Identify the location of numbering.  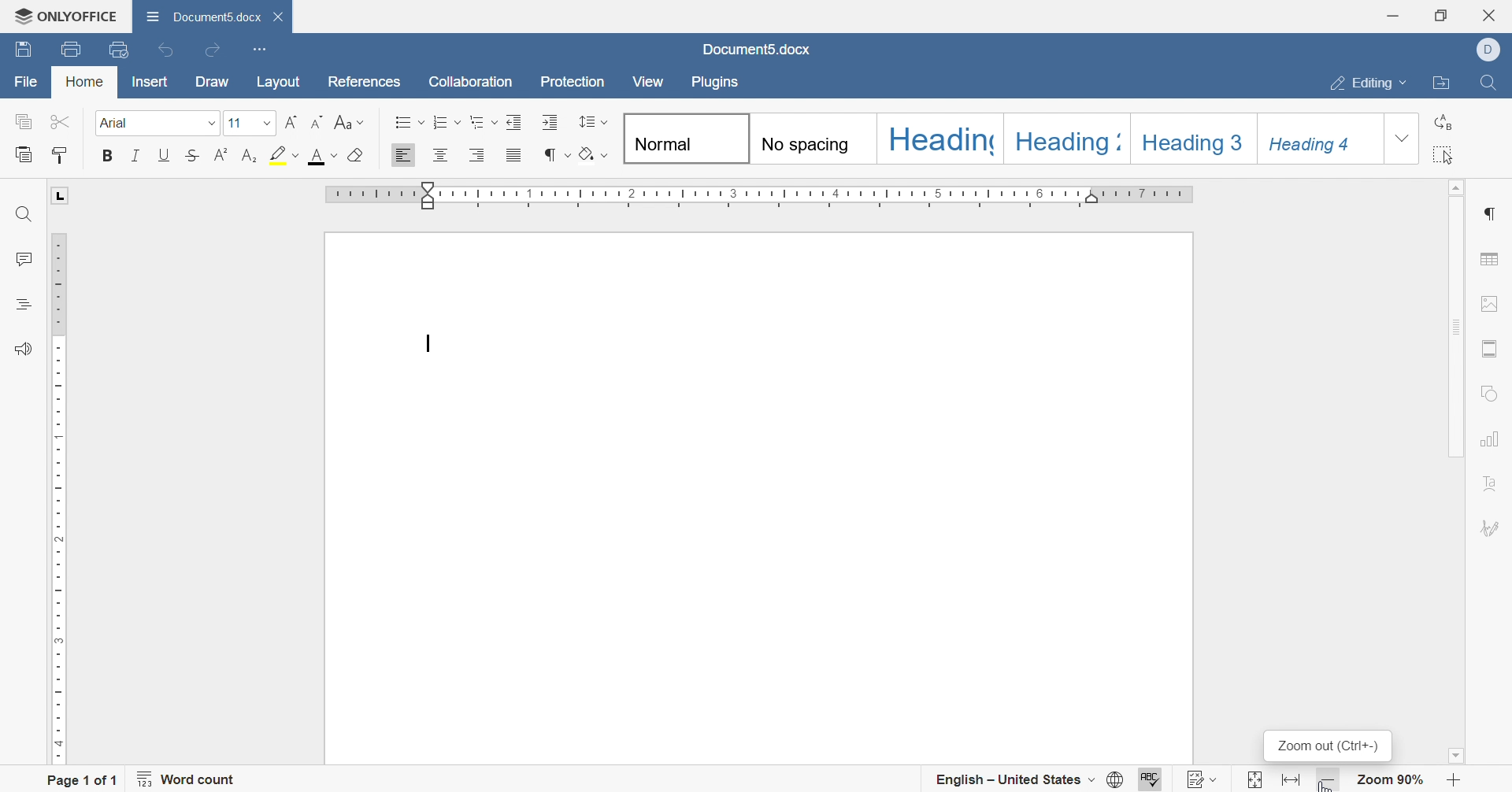
(448, 124).